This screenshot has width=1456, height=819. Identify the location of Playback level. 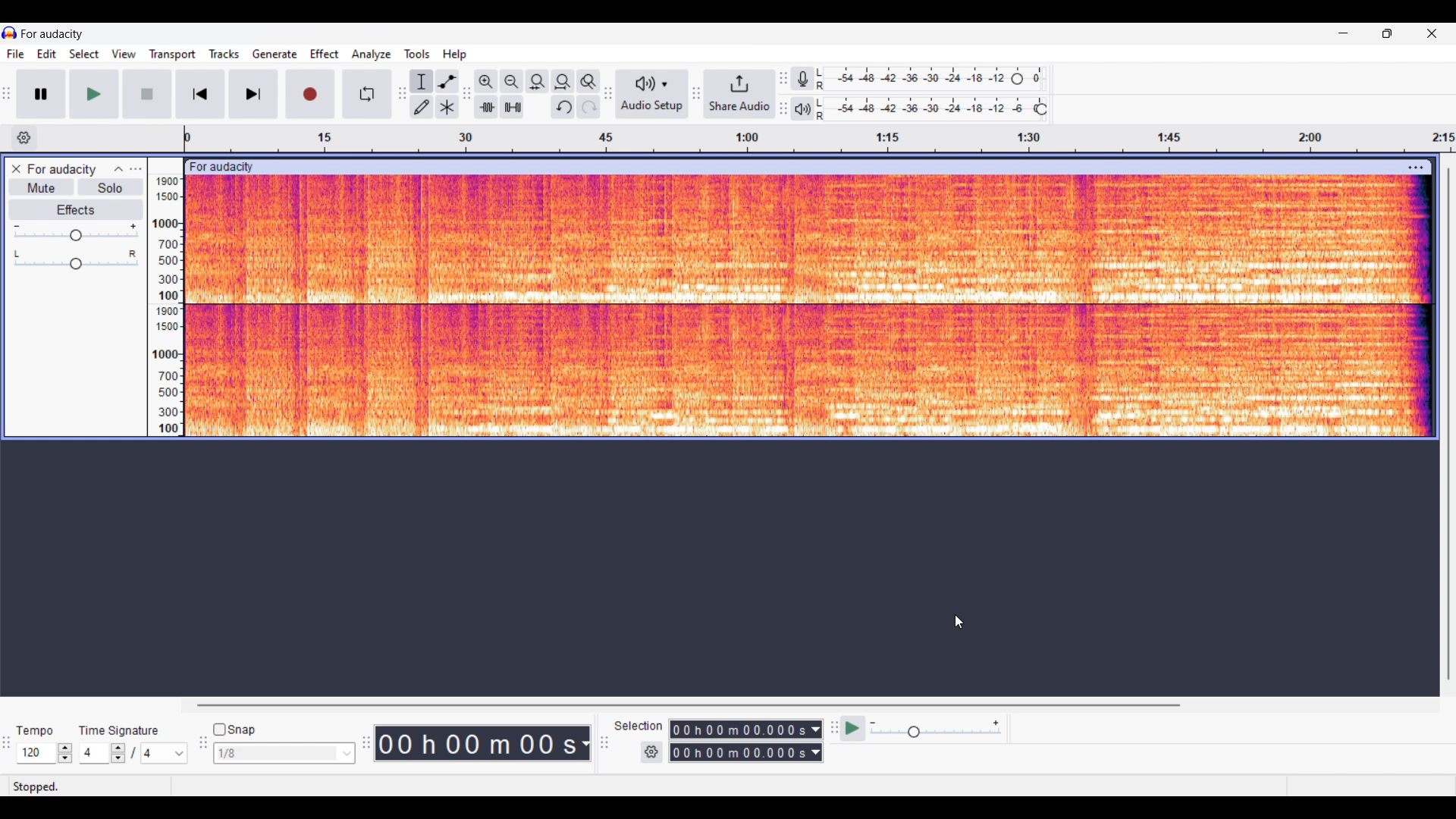
(930, 108).